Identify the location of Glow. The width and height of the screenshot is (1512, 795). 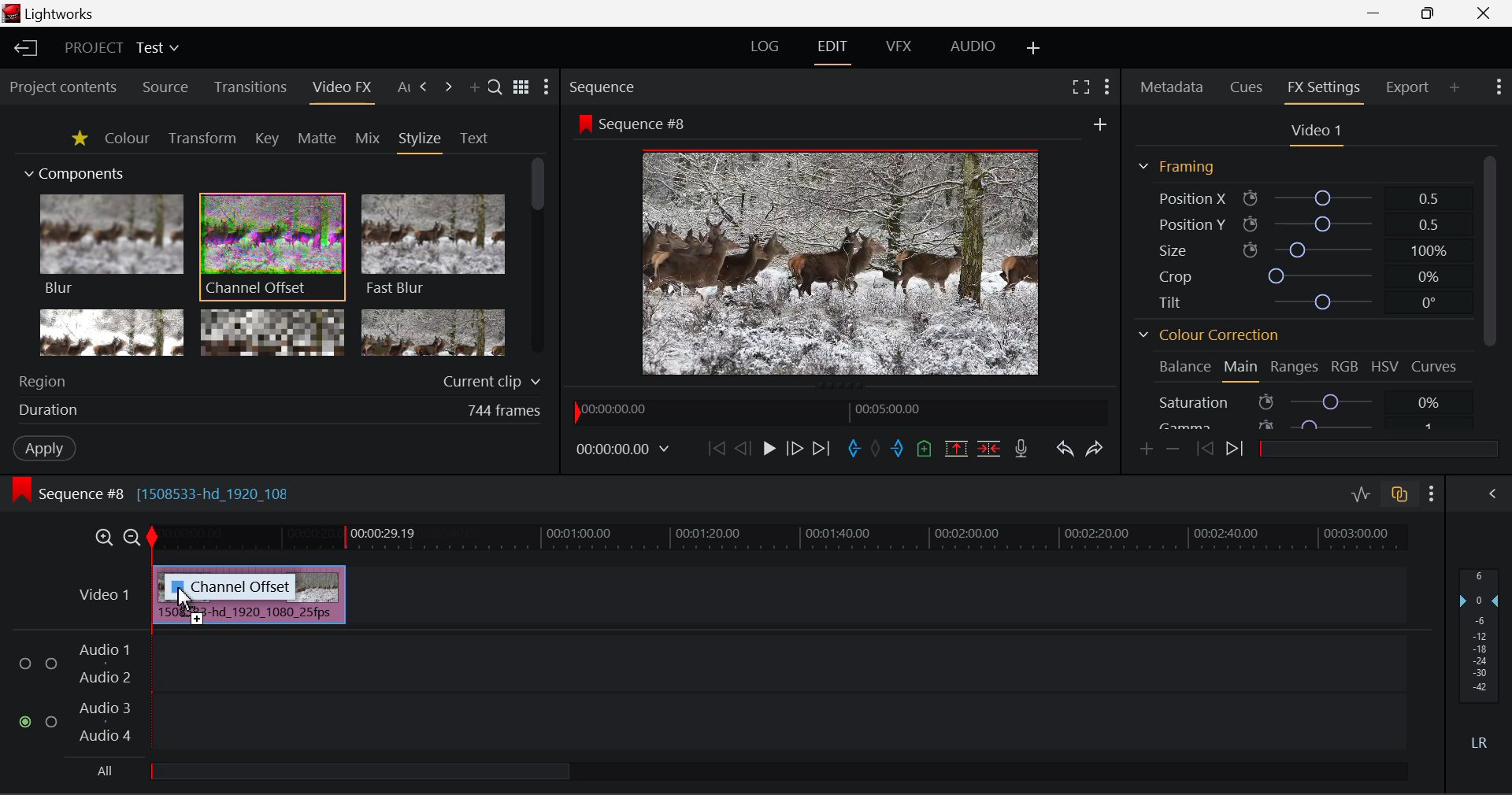
(109, 331).